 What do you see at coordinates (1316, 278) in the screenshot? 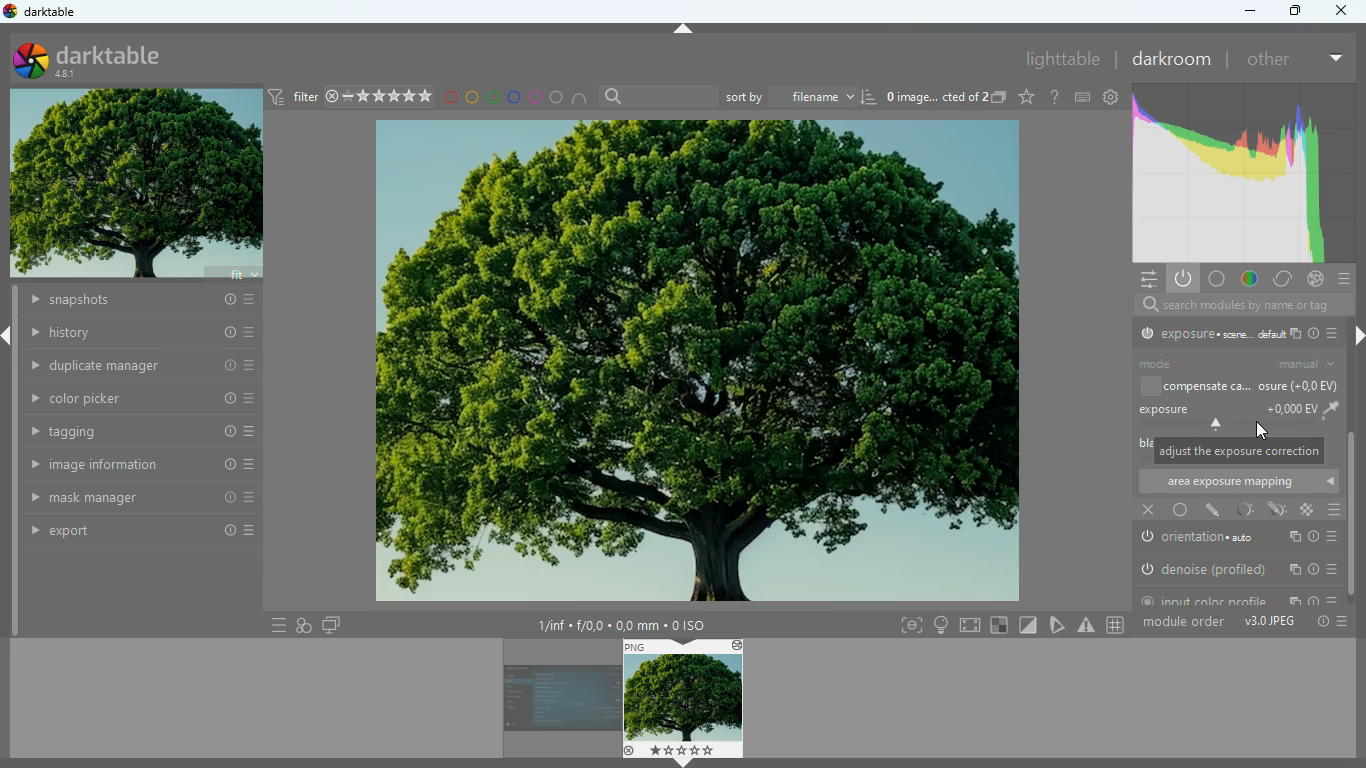
I see `effects` at bounding box center [1316, 278].